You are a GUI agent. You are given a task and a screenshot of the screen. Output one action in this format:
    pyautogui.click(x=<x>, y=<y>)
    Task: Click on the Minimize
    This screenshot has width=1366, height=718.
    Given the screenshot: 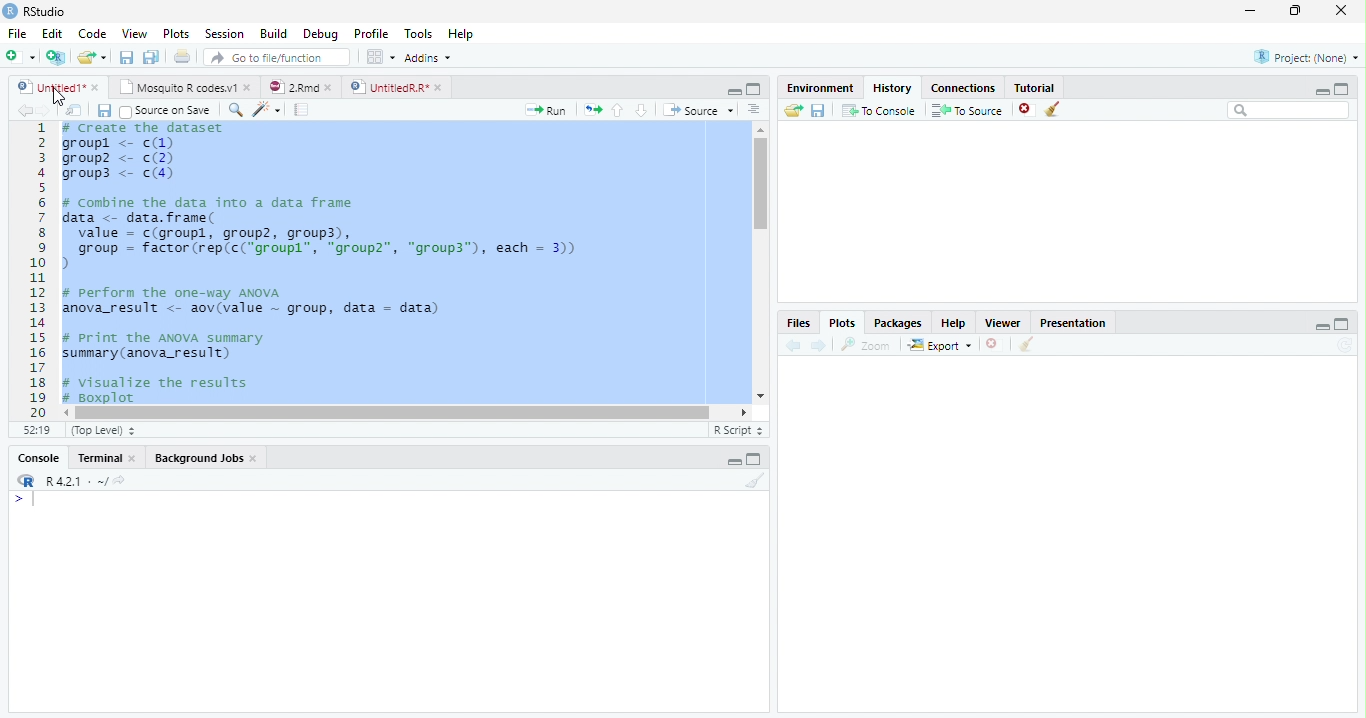 What is the action you would take?
    pyautogui.click(x=1319, y=91)
    